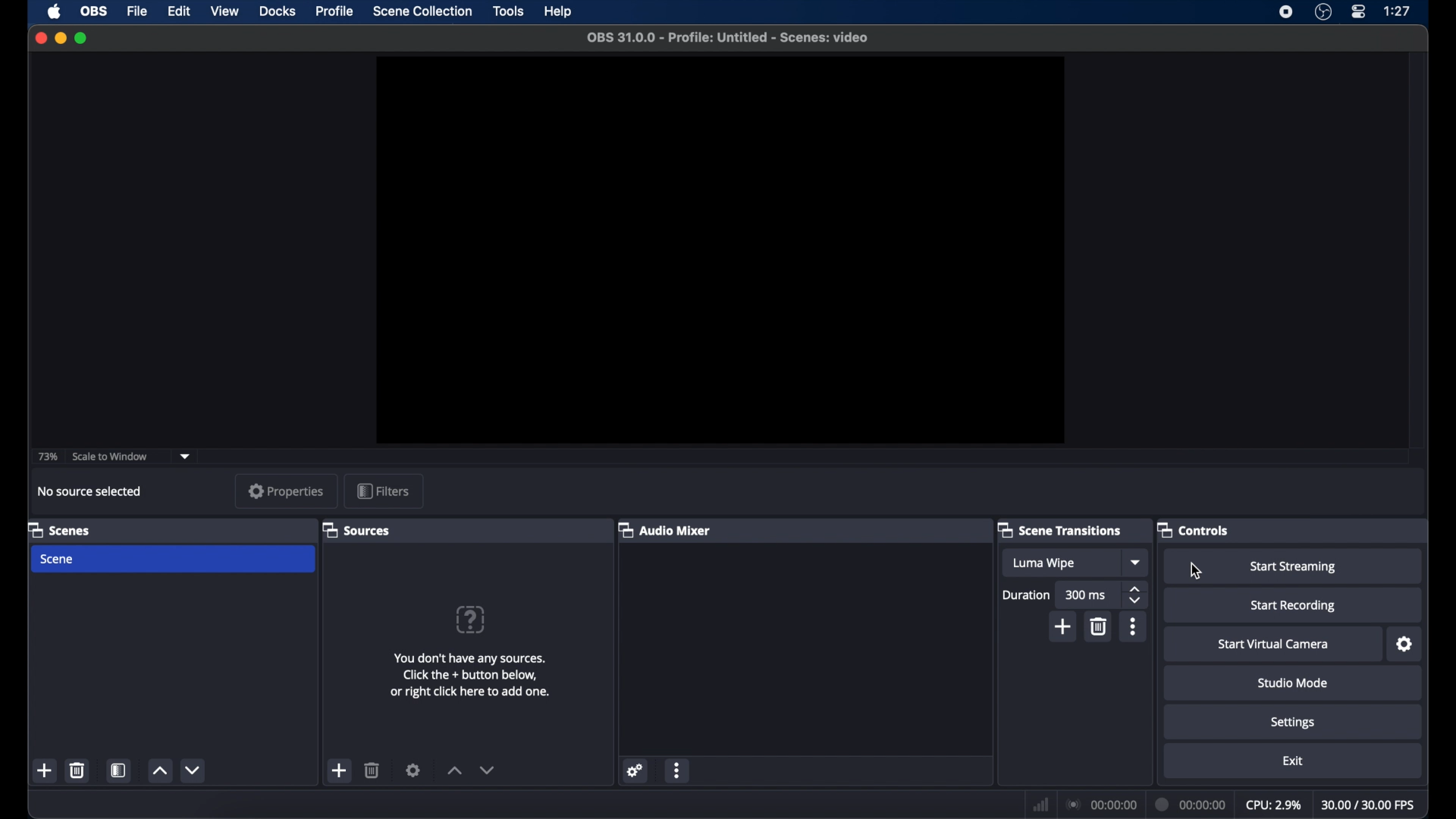  I want to click on file, so click(138, 12).